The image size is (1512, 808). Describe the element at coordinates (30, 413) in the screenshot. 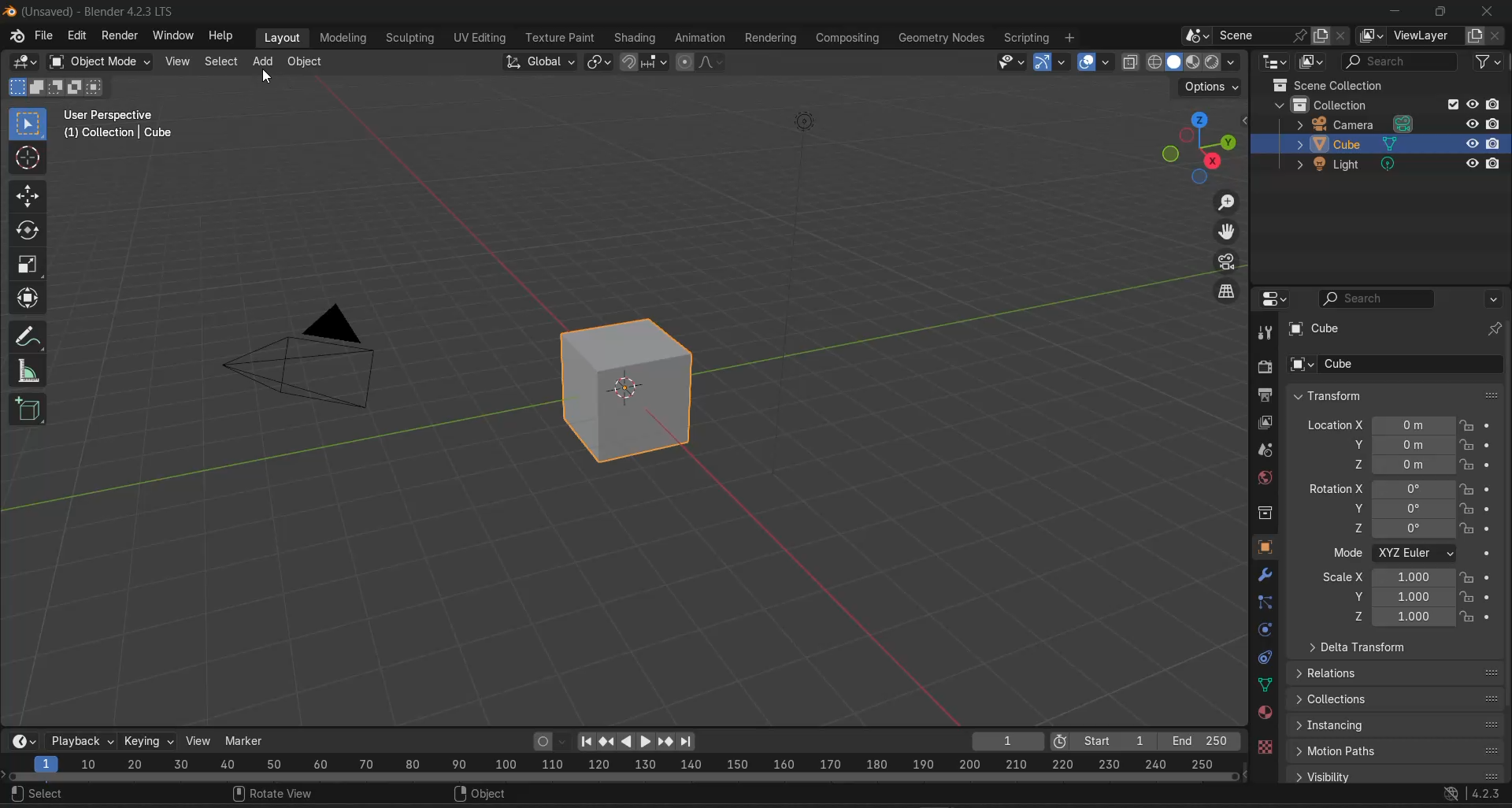

I see `add cube` at that location.